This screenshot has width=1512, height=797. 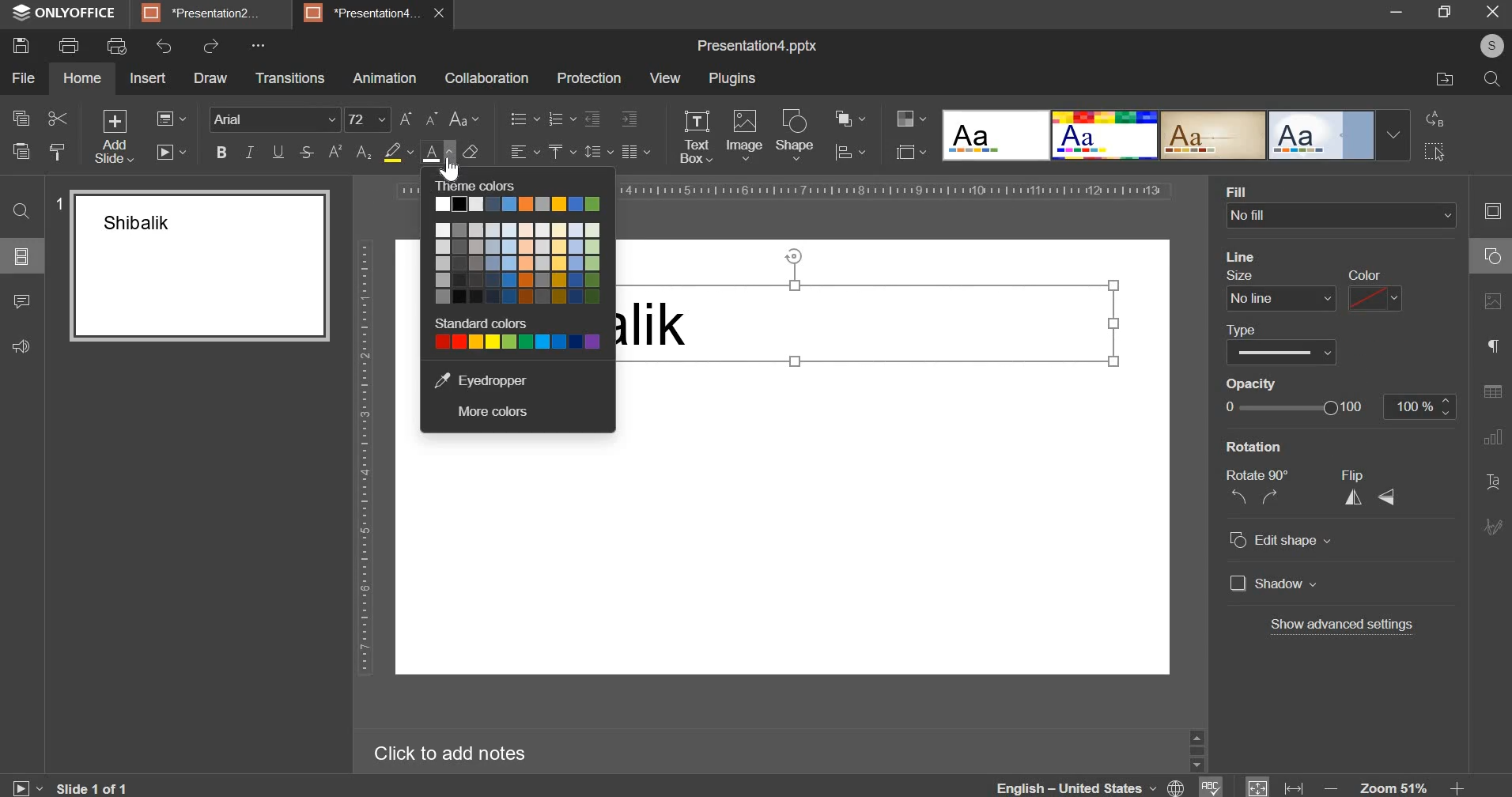 I want to click on copy styles, so click(x=58, y=152).